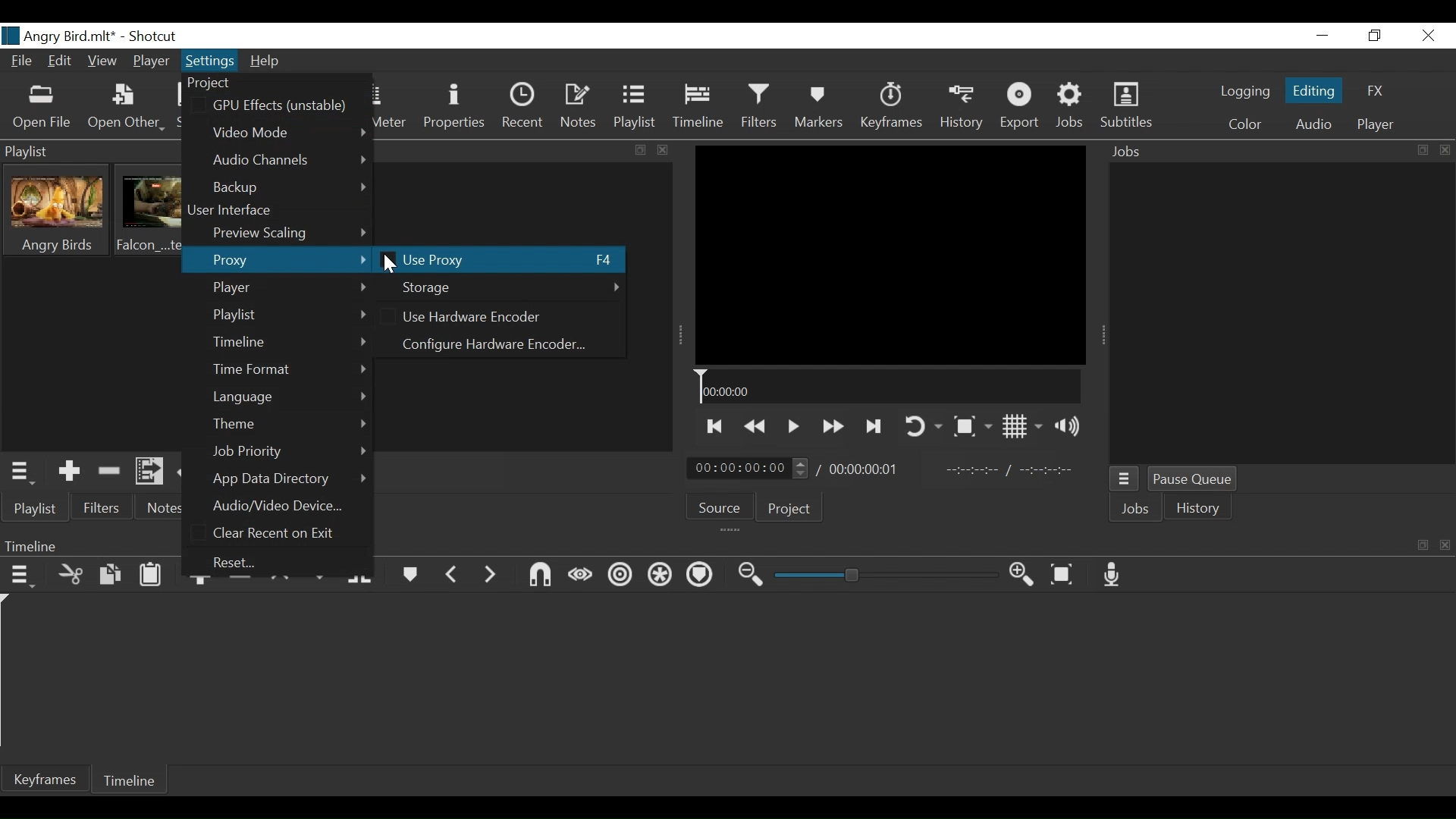  Describe the element at coordinates (1375, 124) in the screenshot. I see `Player` at that location.